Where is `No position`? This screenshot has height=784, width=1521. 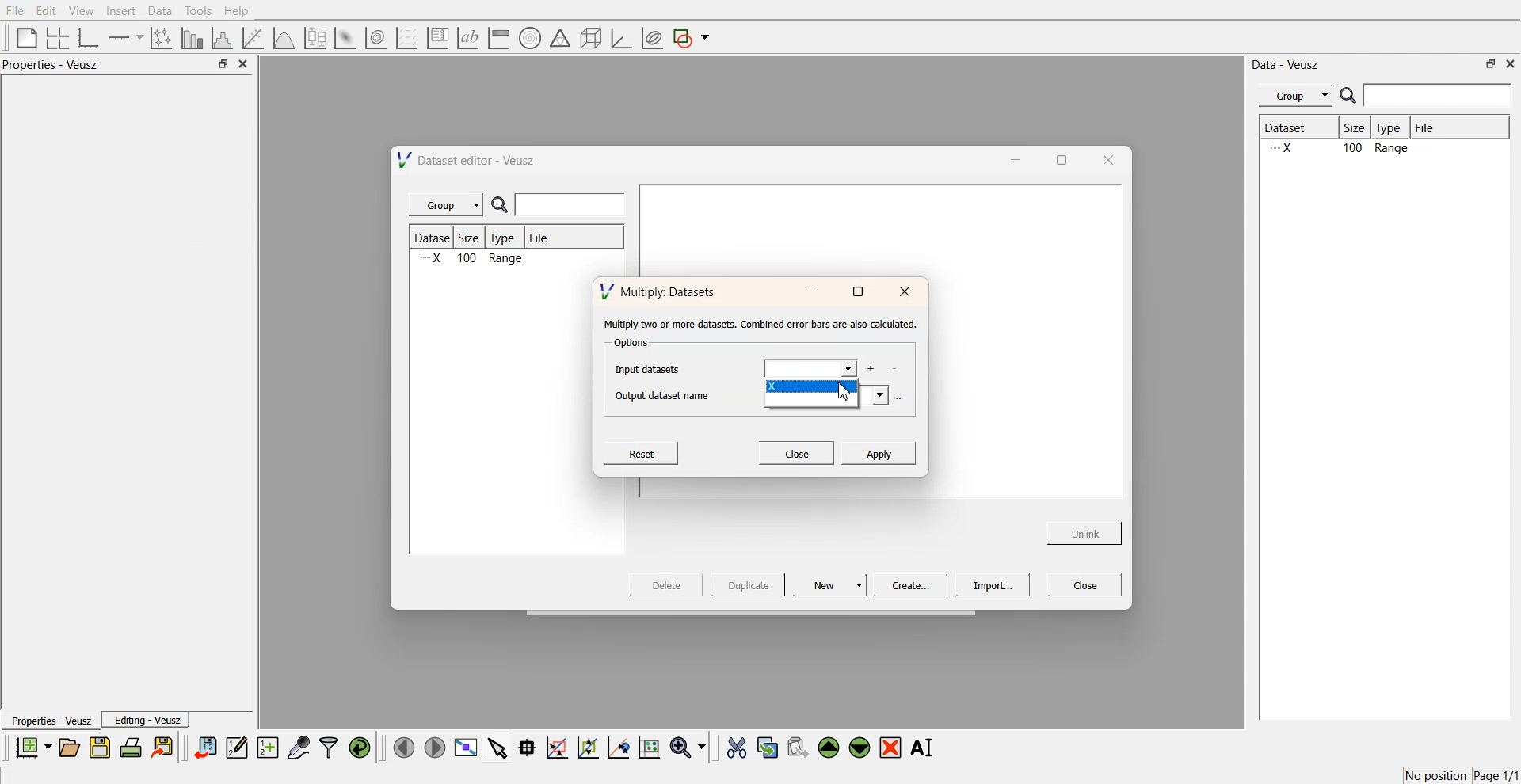 No position is located at coordinates (1438, 774).